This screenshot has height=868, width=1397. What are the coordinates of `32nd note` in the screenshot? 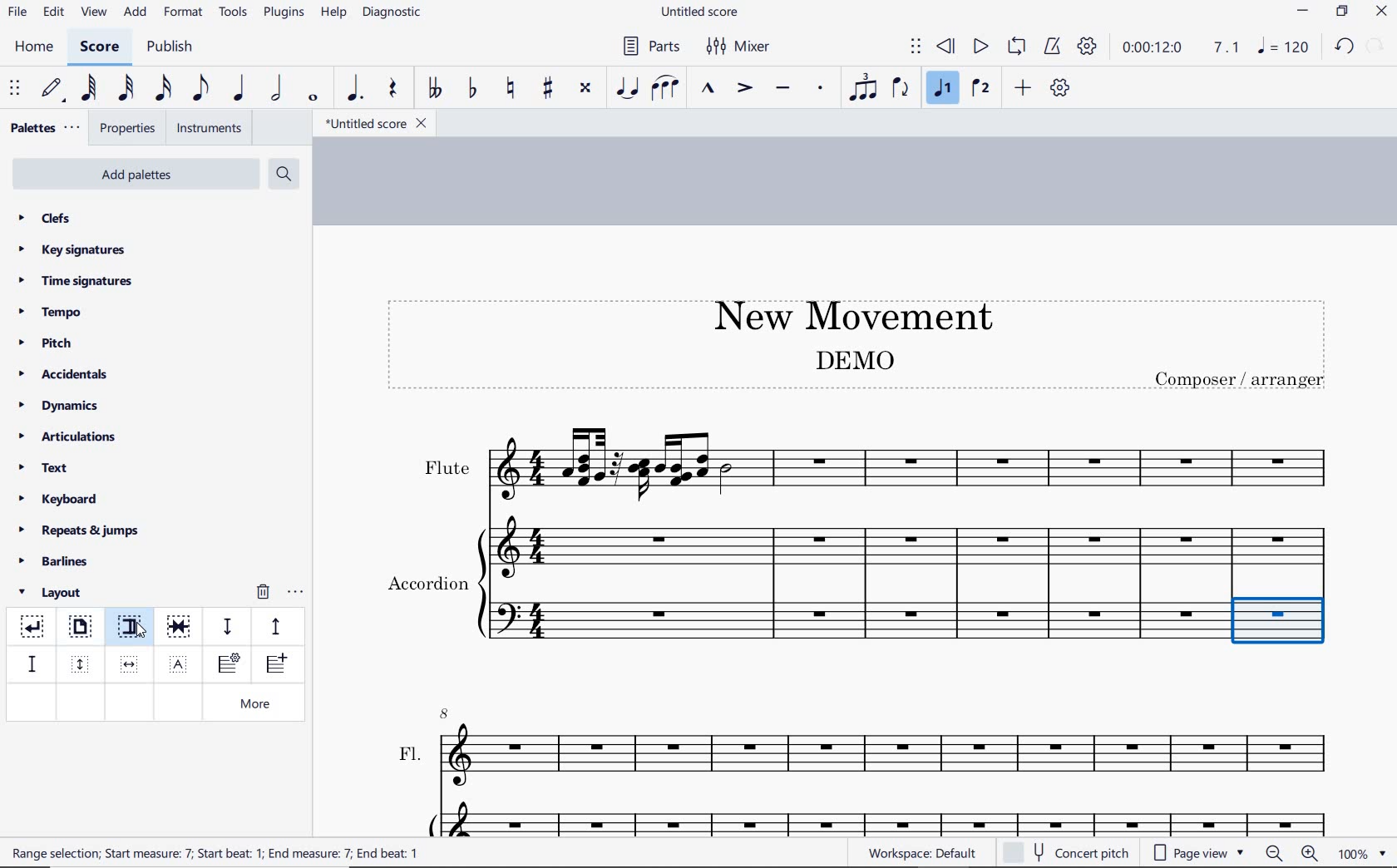 It's located at (125, 89).